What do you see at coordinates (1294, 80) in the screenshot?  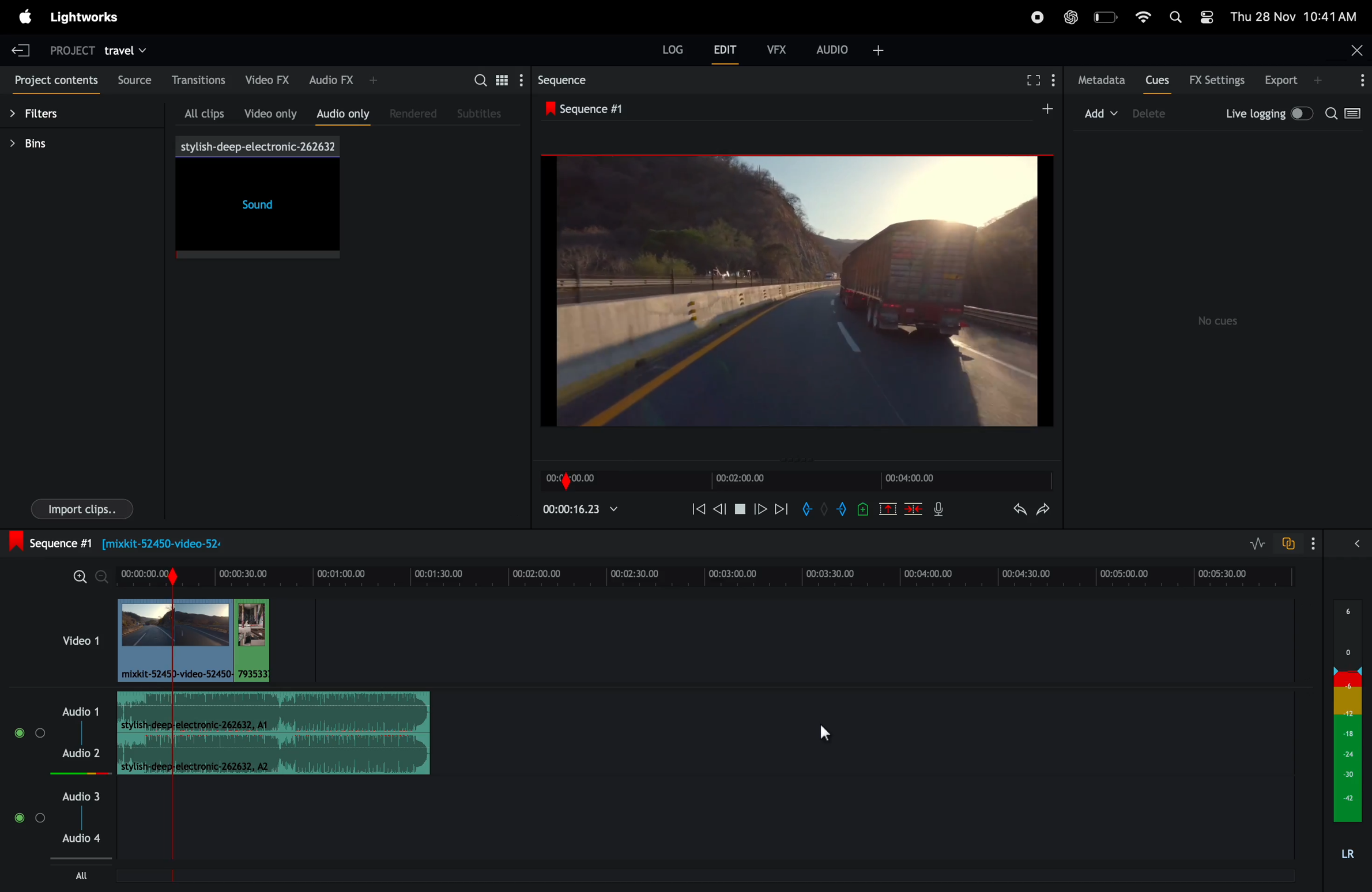 I see `export` at bounding box center [1294, 80].